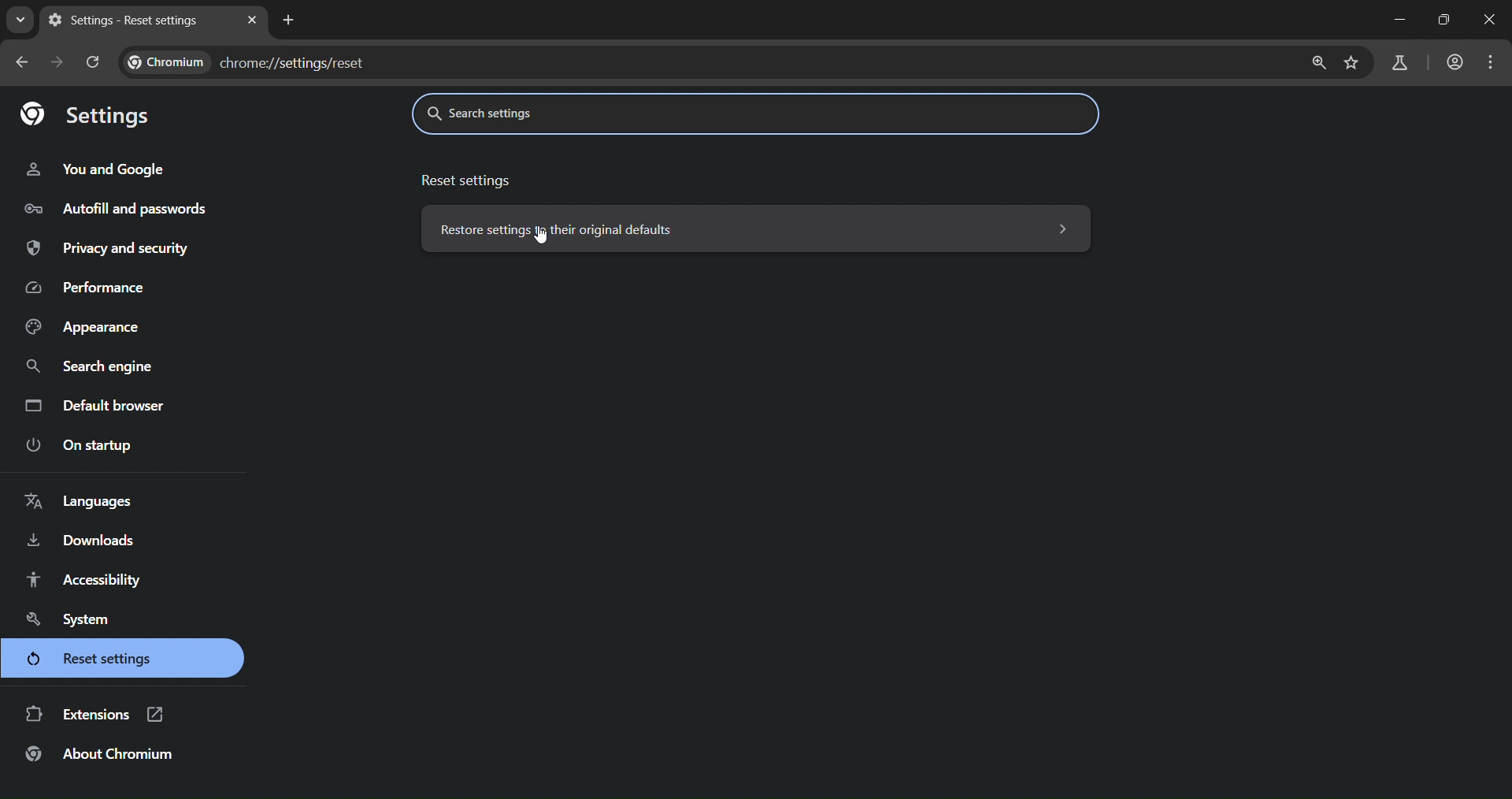  What do you see at coordinates (94, 755) in the screenshot?
I see `about chromium` at bounding box center [94, 755].